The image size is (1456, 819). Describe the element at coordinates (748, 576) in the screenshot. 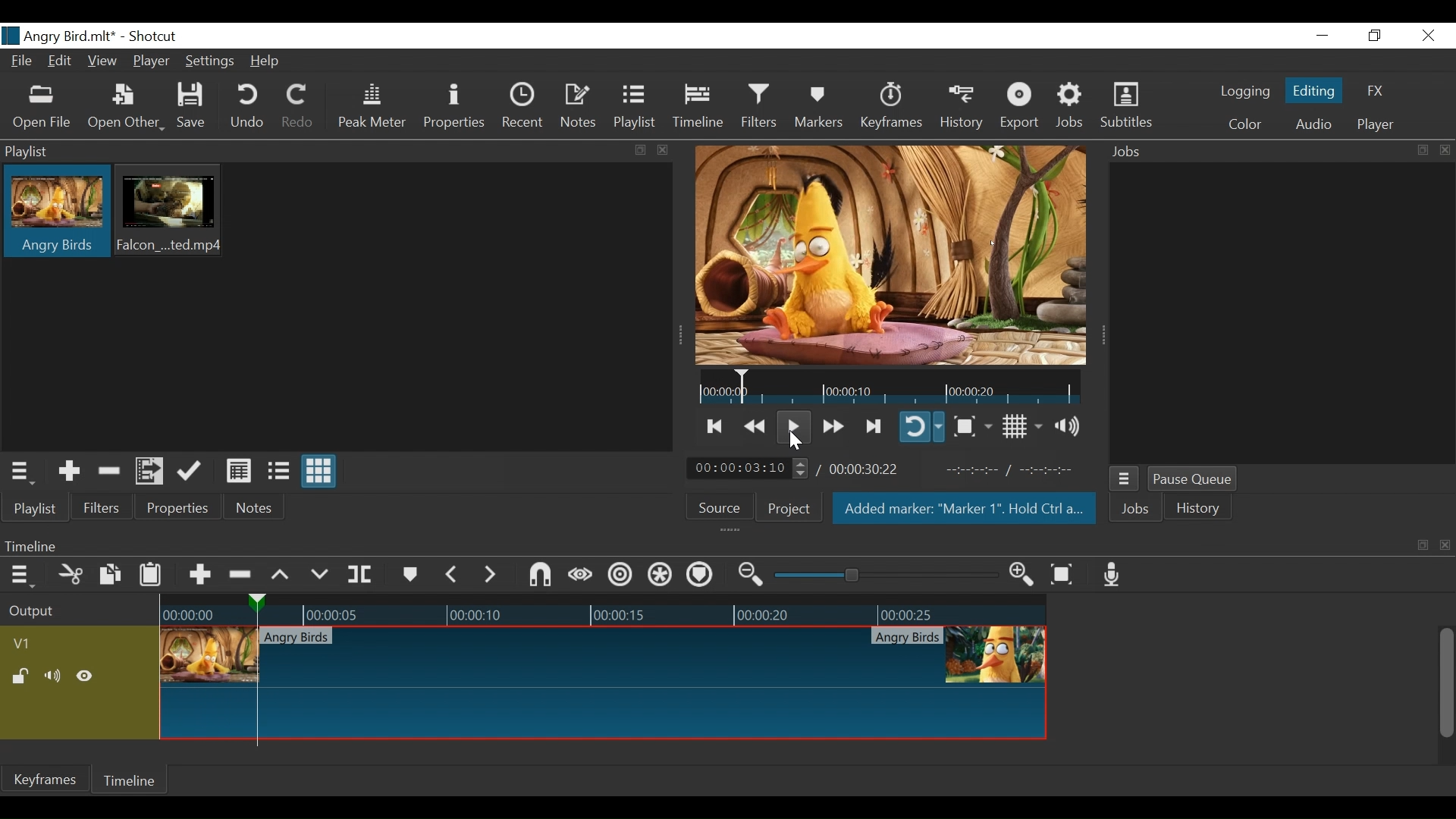

I see `Zoom timeline out` at that location.